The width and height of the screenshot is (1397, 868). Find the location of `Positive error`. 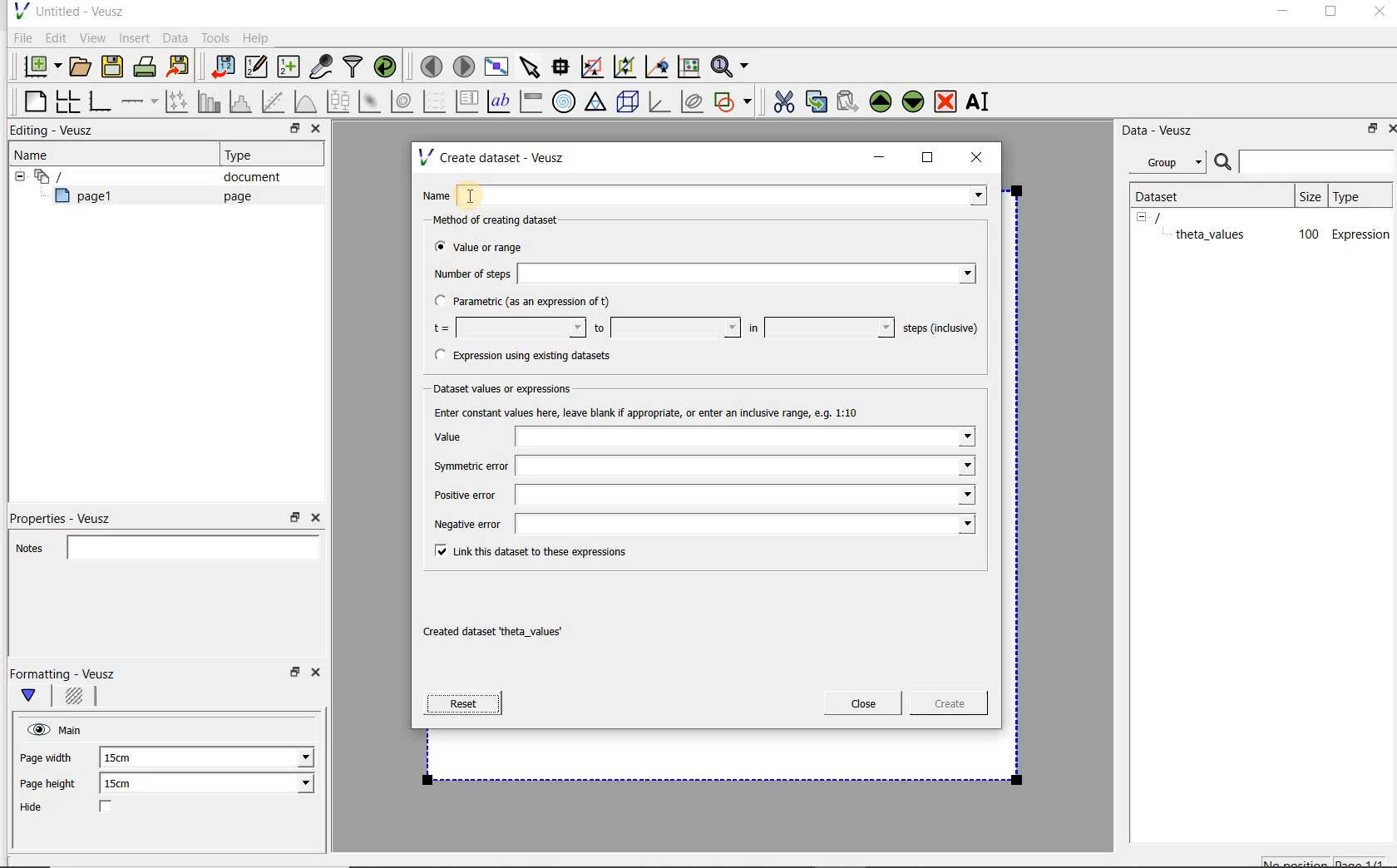

Positive error is located at coordinates (698, 499).